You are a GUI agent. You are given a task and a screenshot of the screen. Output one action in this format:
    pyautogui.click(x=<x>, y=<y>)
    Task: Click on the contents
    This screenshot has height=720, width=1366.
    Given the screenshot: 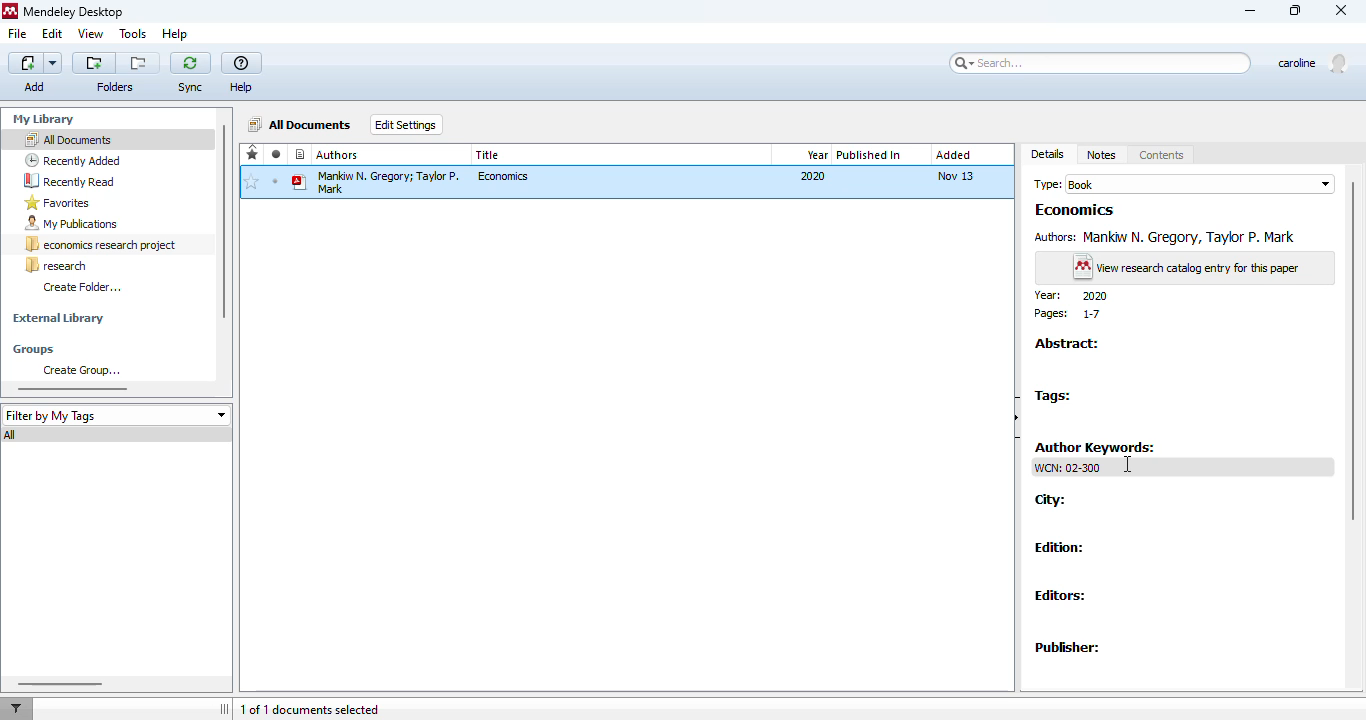 What is the action you would take?
    pyautogui.click(x=1162, y=155)
    